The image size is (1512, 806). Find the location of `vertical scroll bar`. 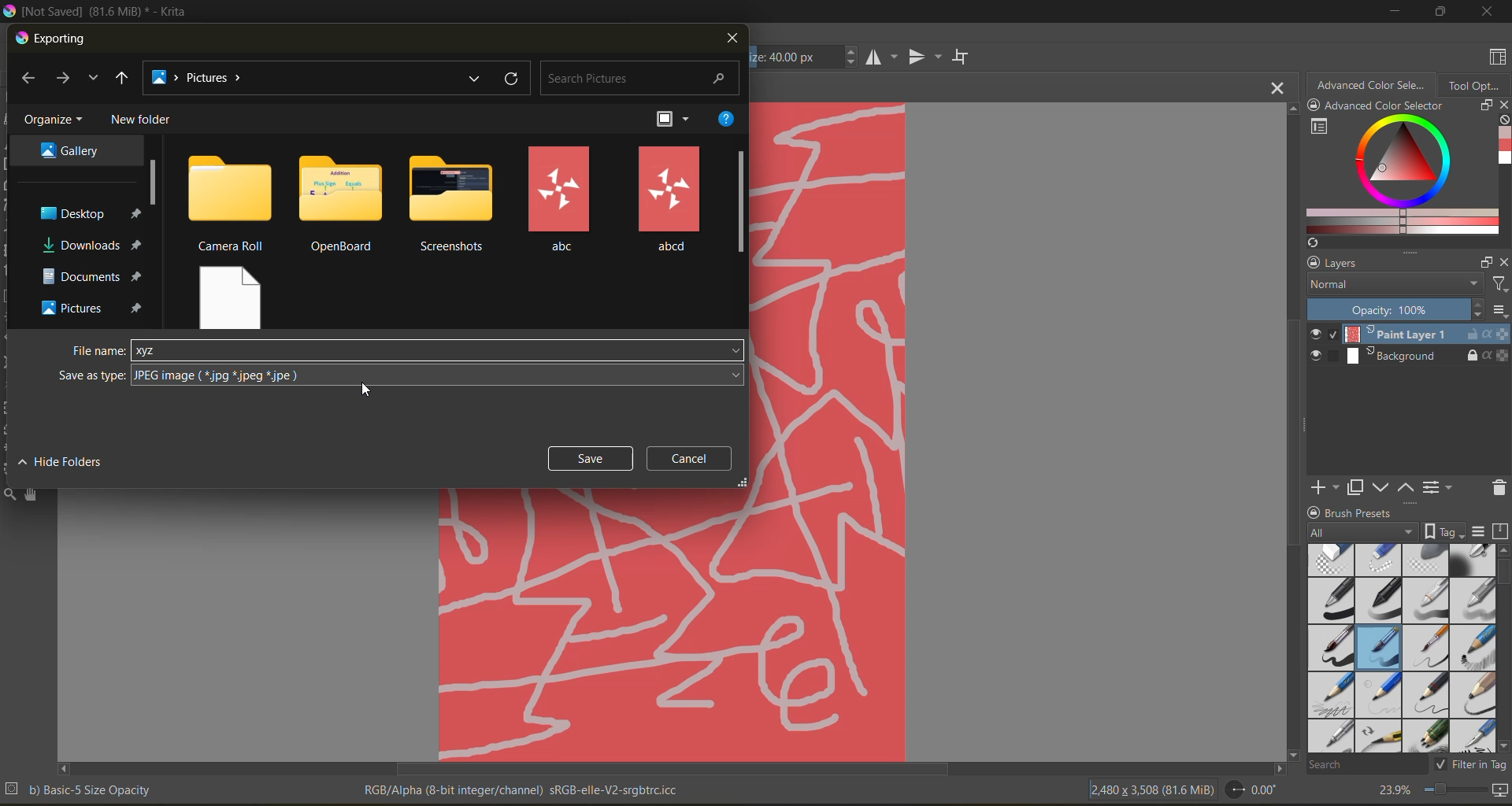

vertical scroll bar is located at coordinates (1503, 648).